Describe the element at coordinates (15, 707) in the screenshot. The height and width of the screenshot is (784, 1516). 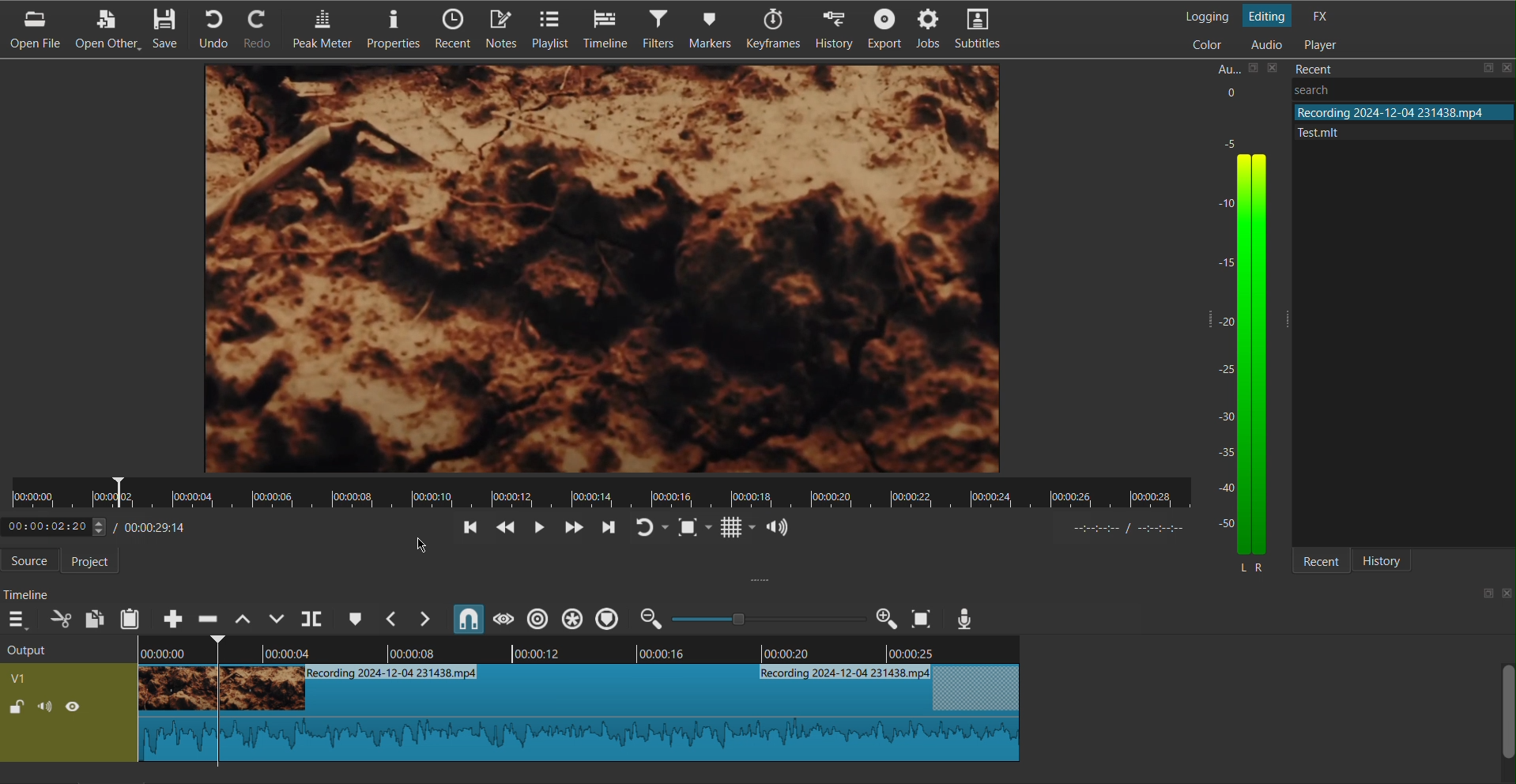
I see `(un)lock` at that location.